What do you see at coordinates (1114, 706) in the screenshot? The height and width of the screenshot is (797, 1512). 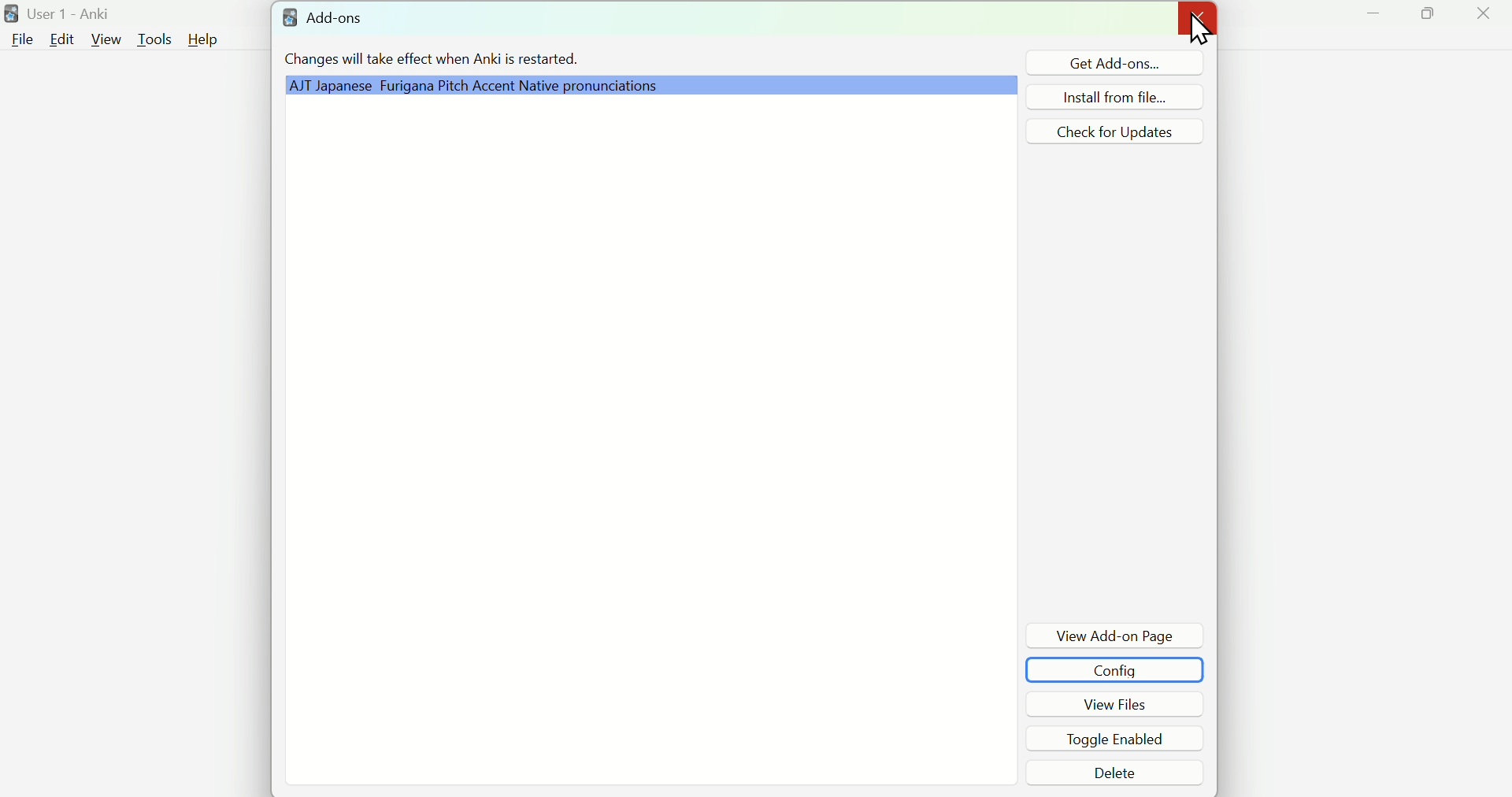 I see `View Files` at bounding box center [1114, 706].